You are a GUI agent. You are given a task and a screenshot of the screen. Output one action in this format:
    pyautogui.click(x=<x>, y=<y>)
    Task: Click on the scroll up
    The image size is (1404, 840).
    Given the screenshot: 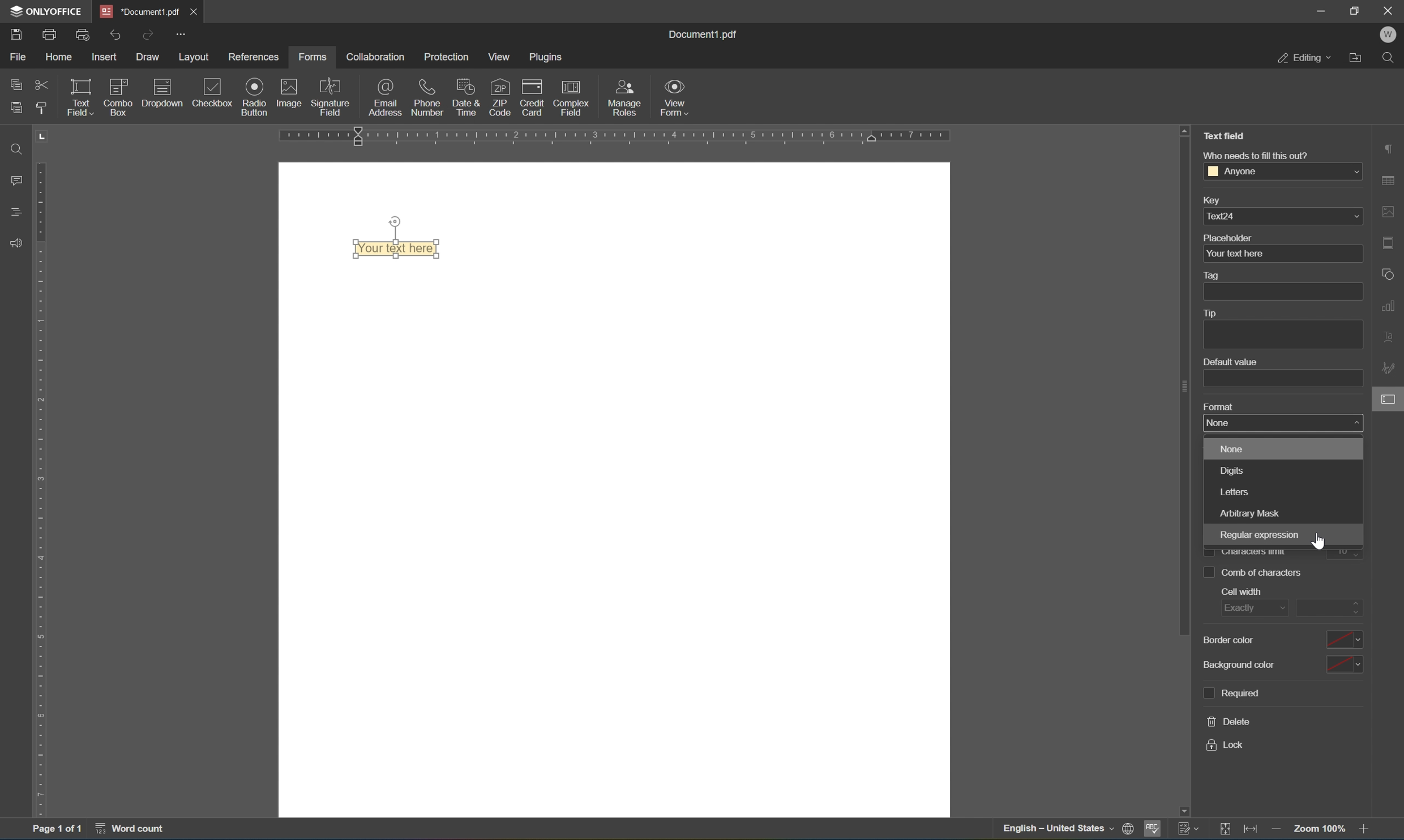 What is the action you would take?
    pyautogui.click(x=1184, y=129)
    